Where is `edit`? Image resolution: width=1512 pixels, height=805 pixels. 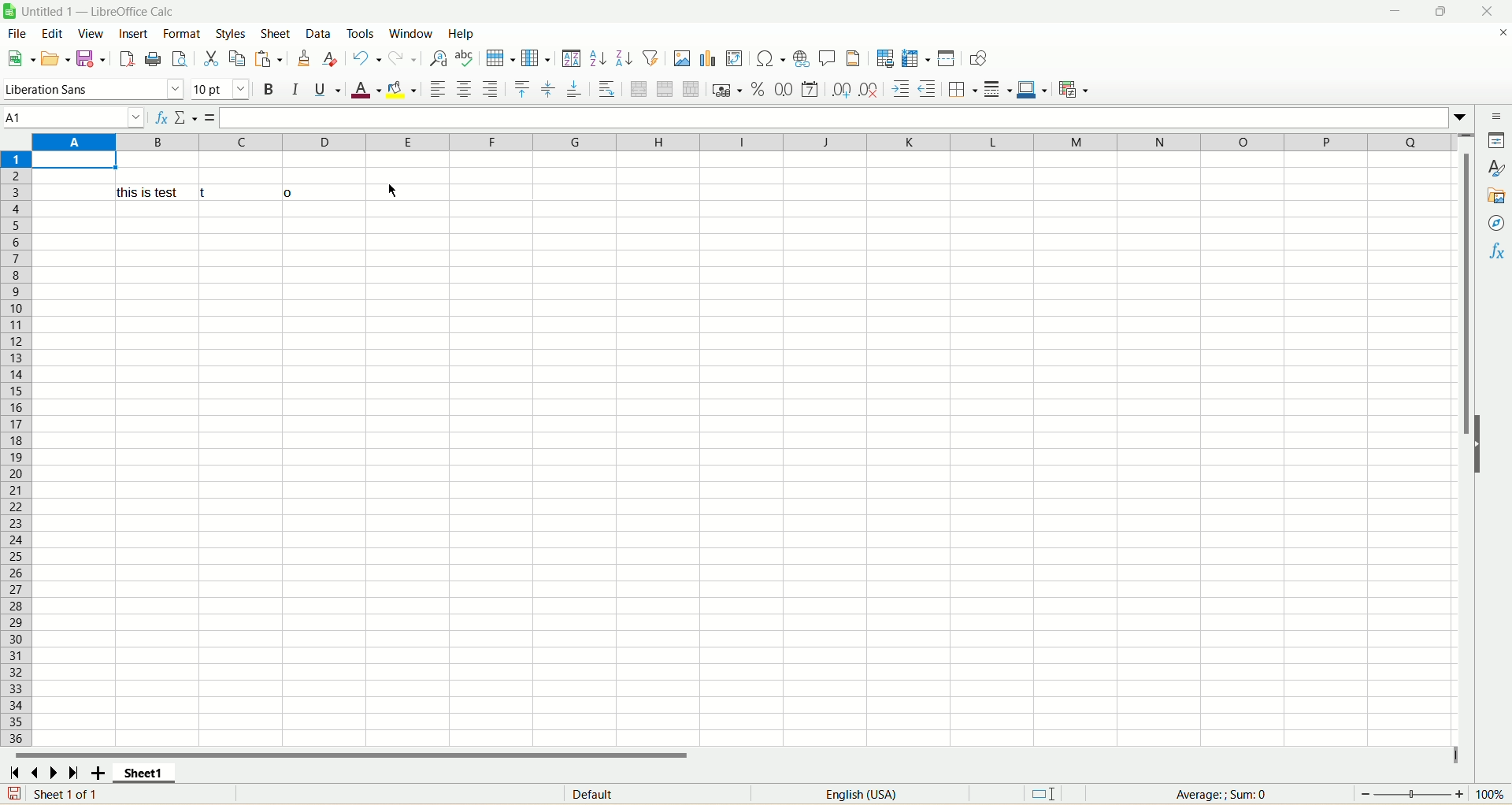
edit is located at coordinates (50, 33).